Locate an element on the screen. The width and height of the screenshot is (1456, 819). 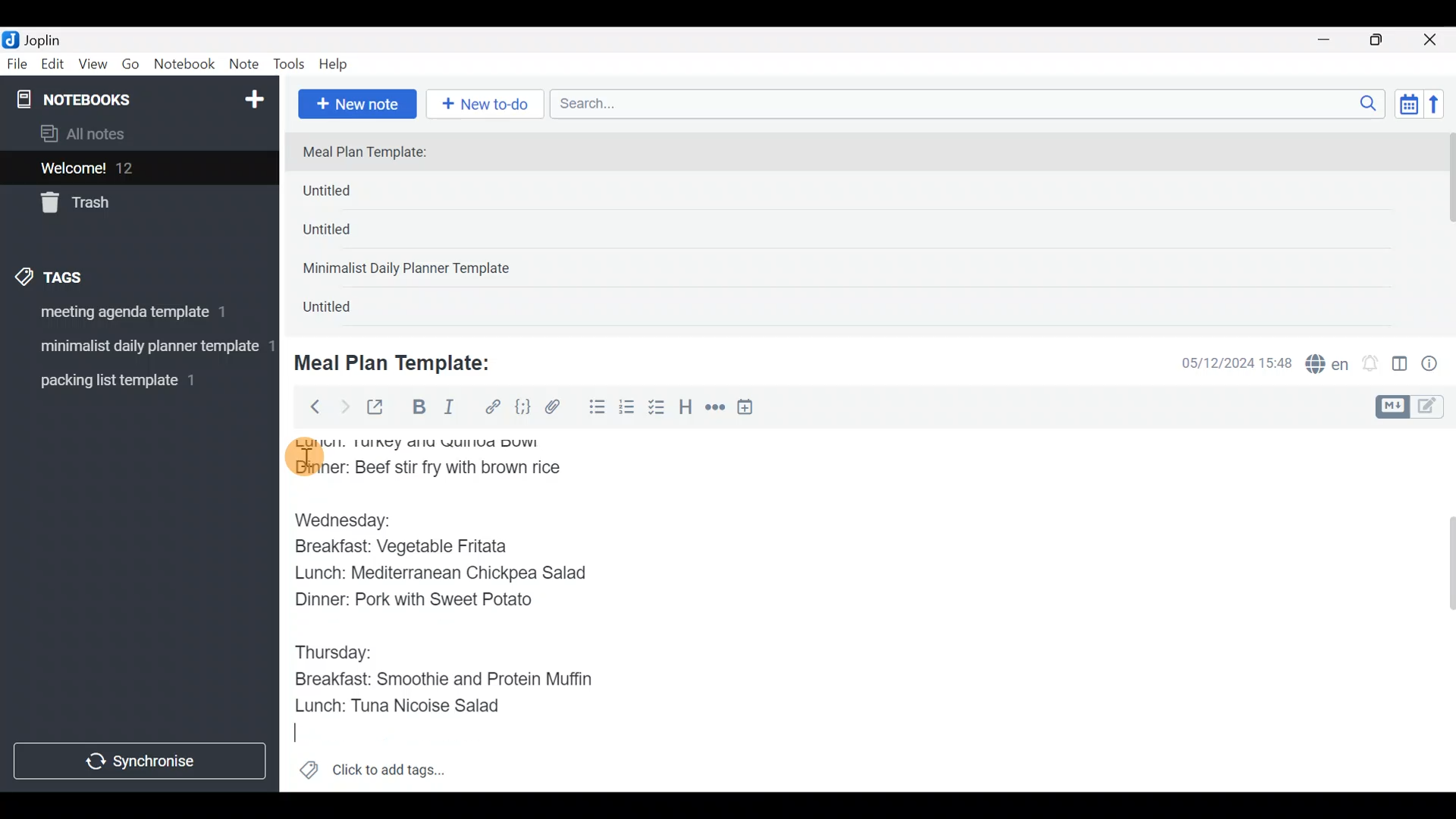
New note is located at coordinates (356, 102).